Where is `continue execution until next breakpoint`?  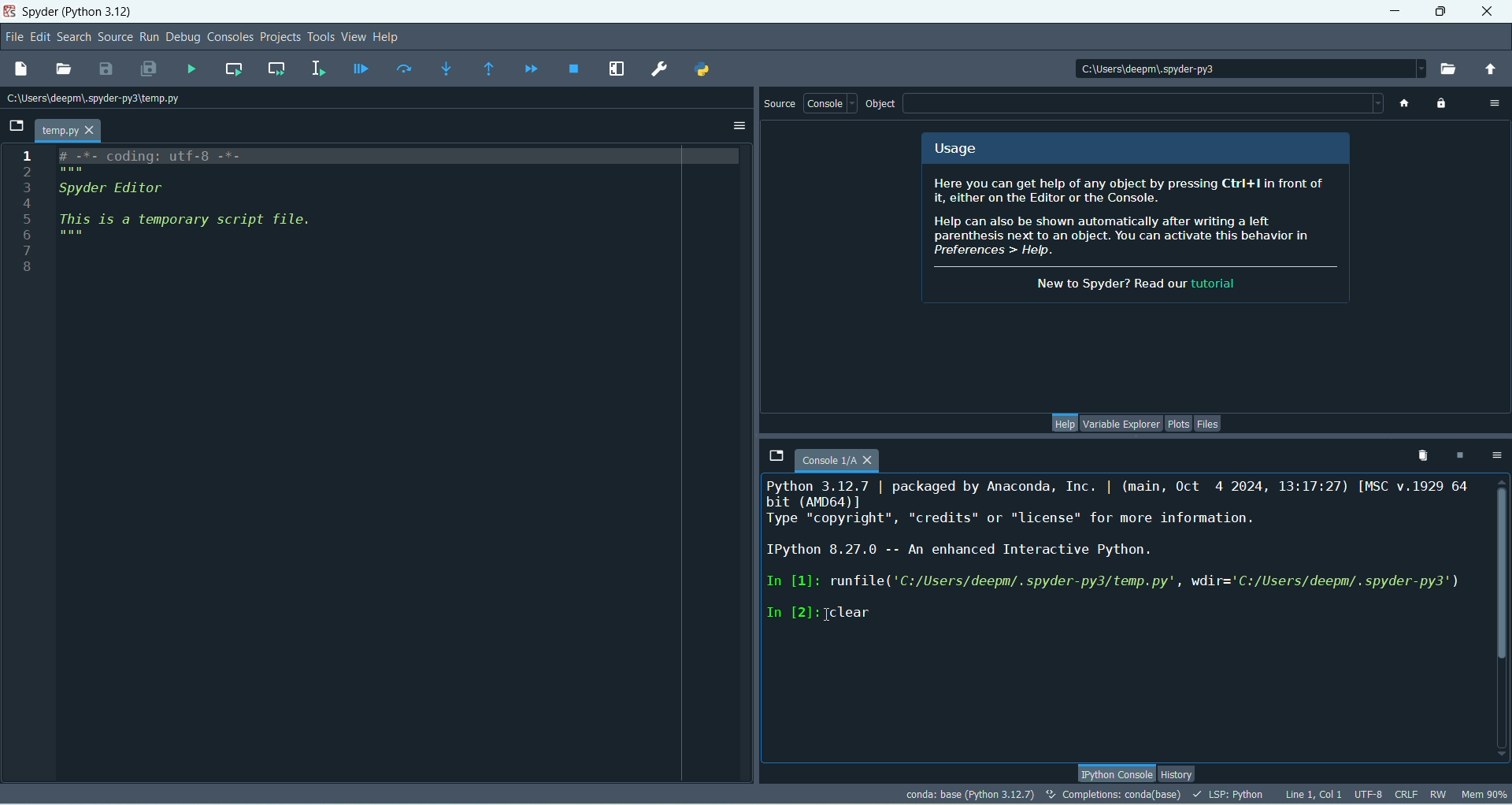 continue execution until next breakpoint is located at coordinates (531, 69).